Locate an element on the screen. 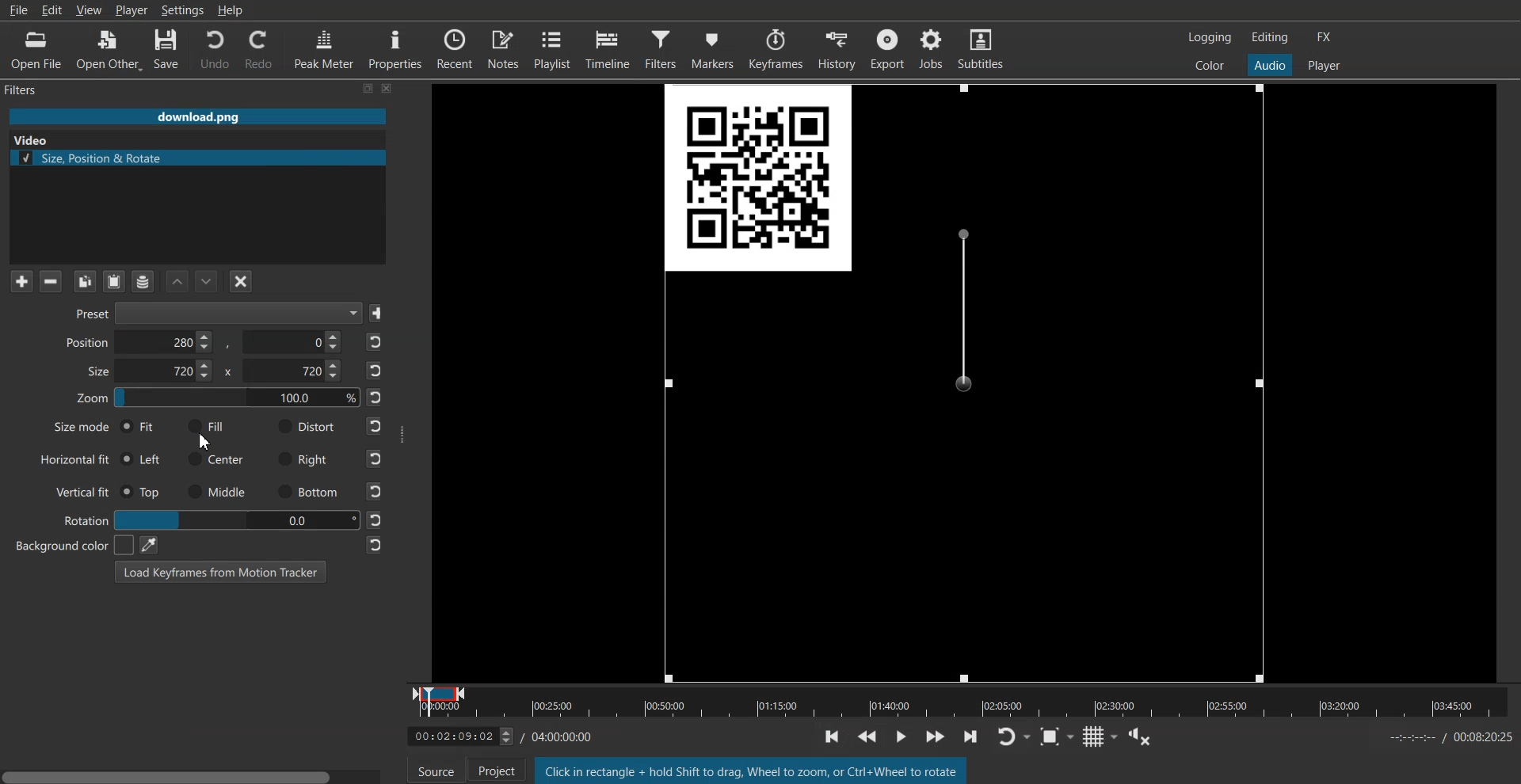 This screenshot has height=784, width=1521. Notes is located at coordinates (504, 48).